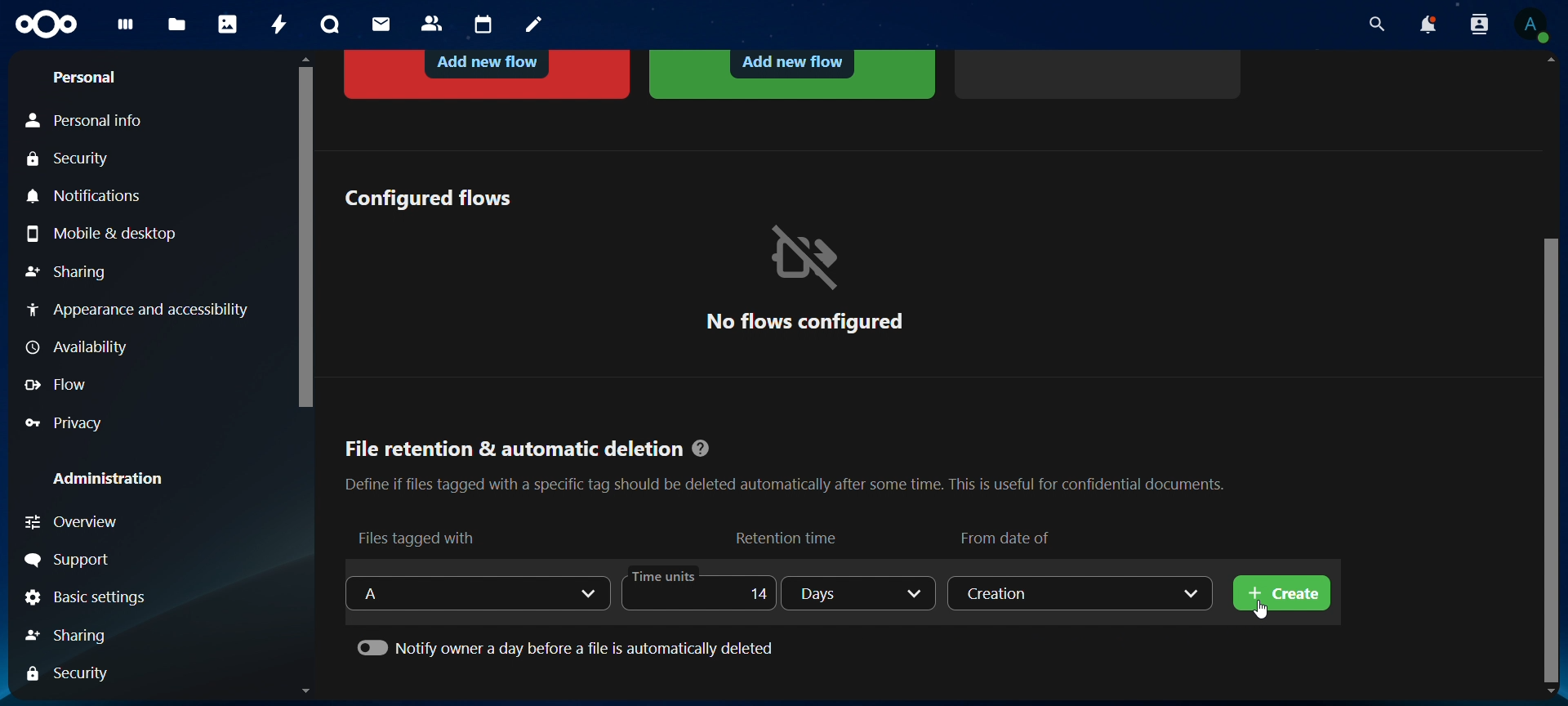  What do you see at coordinates (569, 646) in the screenshot?
I see `notify owner a day before a file is automatically deleted` at bounding box center [569, 646].